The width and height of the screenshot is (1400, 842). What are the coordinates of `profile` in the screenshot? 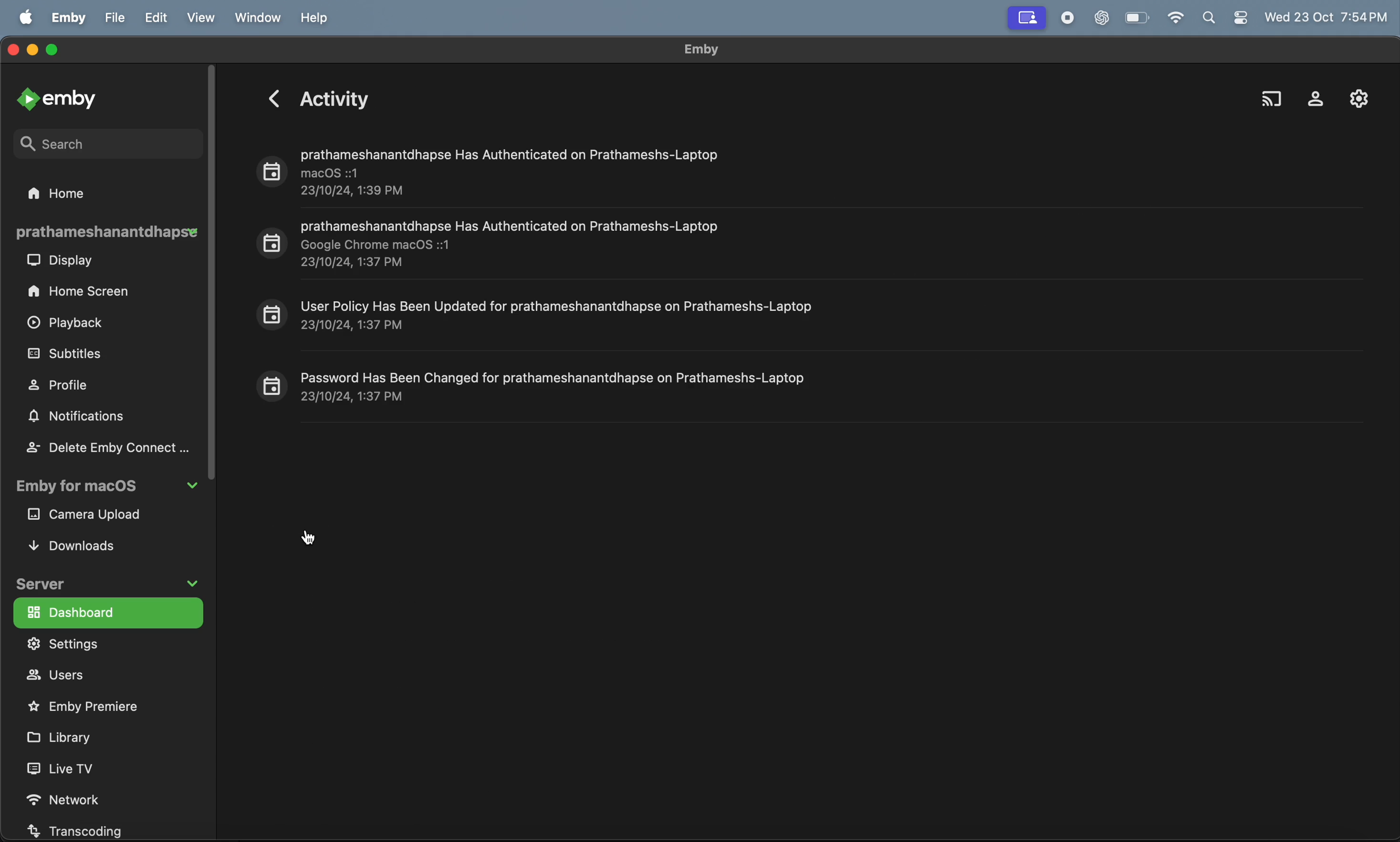 It's located at (73, 384).